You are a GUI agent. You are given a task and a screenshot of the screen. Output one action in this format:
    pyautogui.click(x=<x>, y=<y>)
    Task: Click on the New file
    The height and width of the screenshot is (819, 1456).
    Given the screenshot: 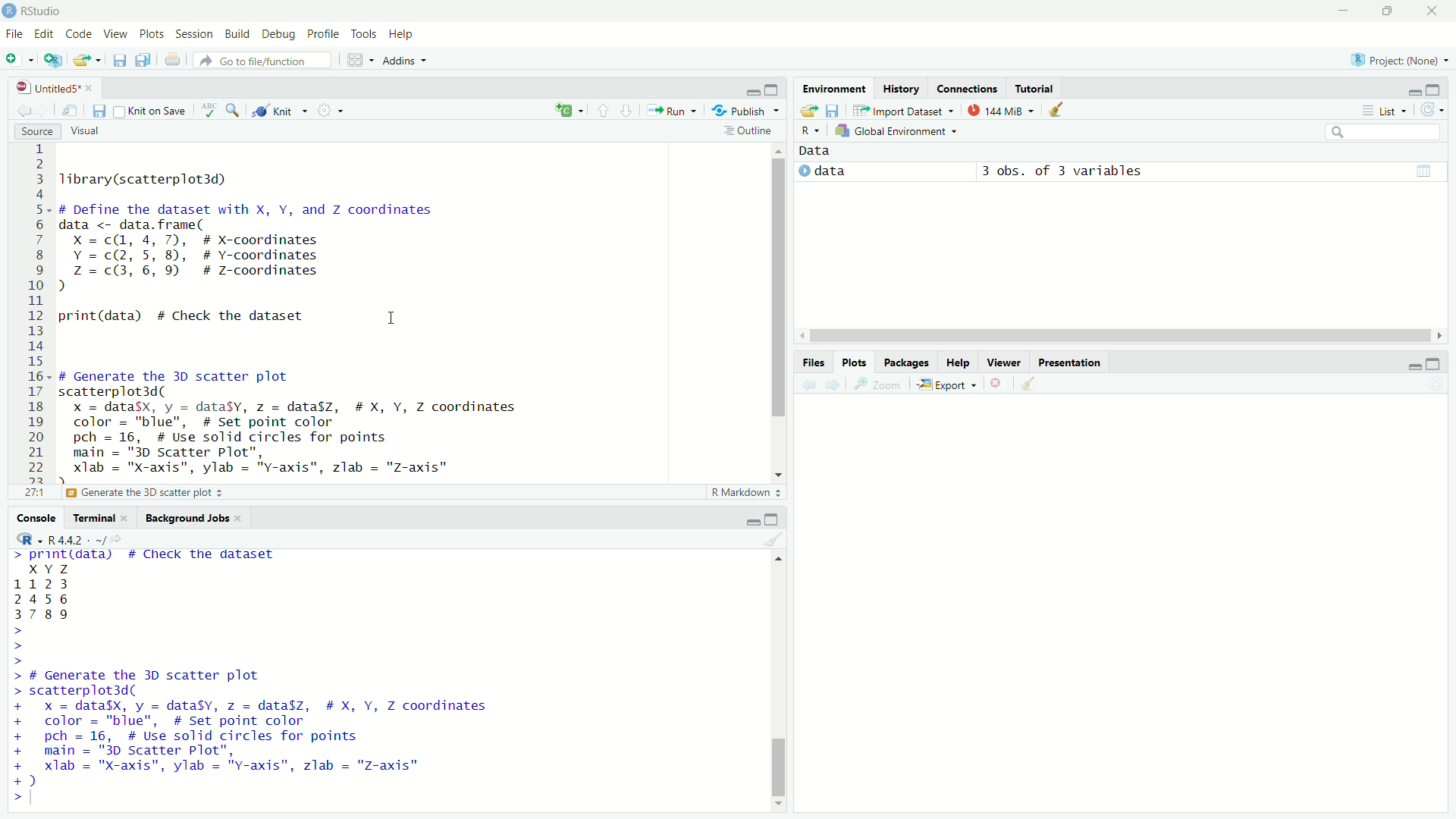 What is the action you would take?
    pyautogui.click(x=17, y=58)
    